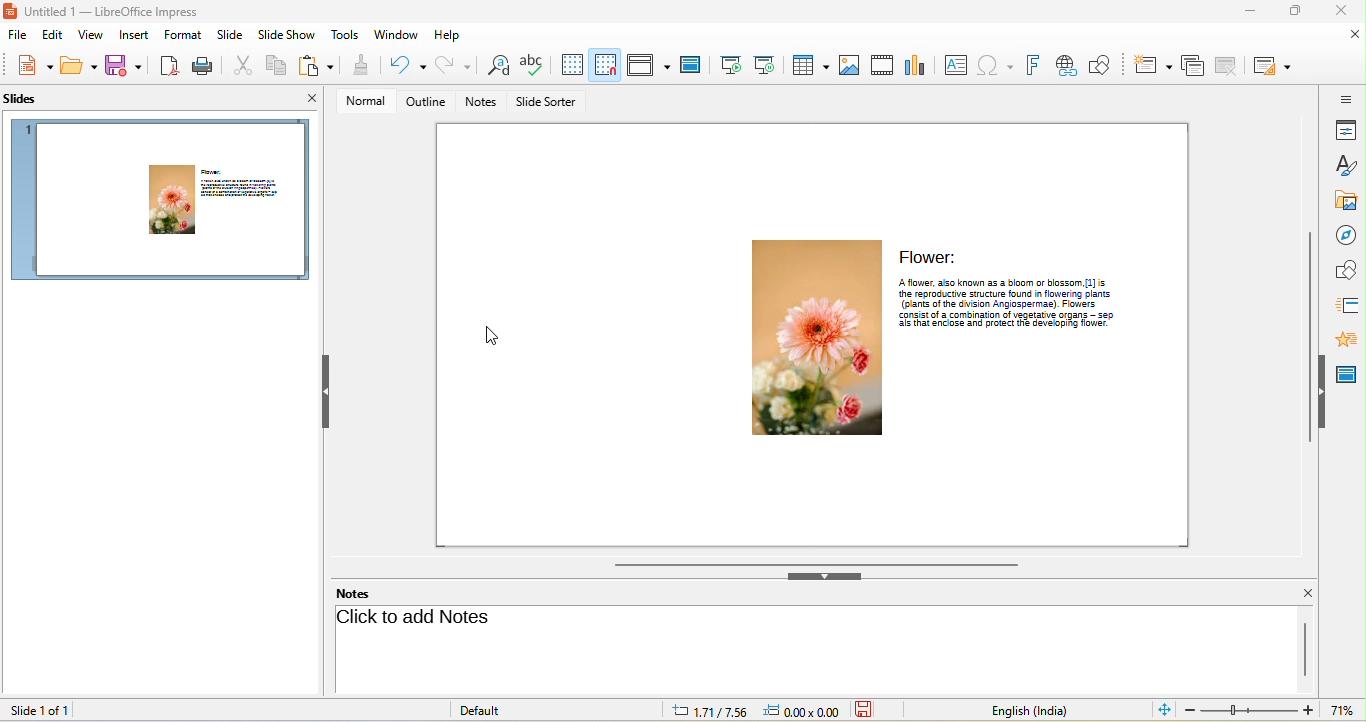  I want to click on normal, so click(363, 102).